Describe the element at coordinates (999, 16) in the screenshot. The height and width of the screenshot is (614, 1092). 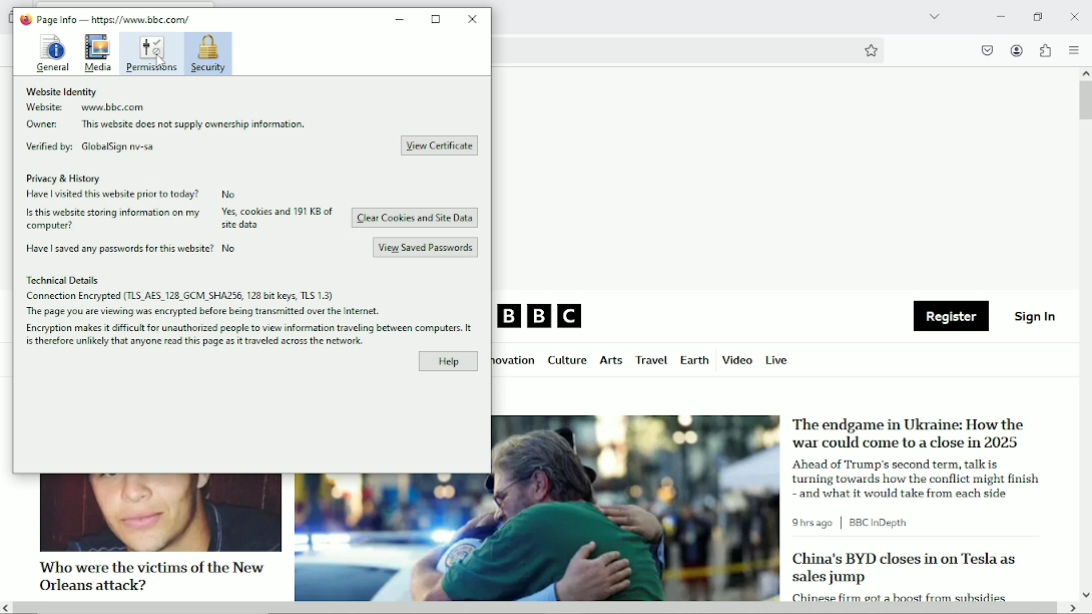
I see `Minimize` at that location.